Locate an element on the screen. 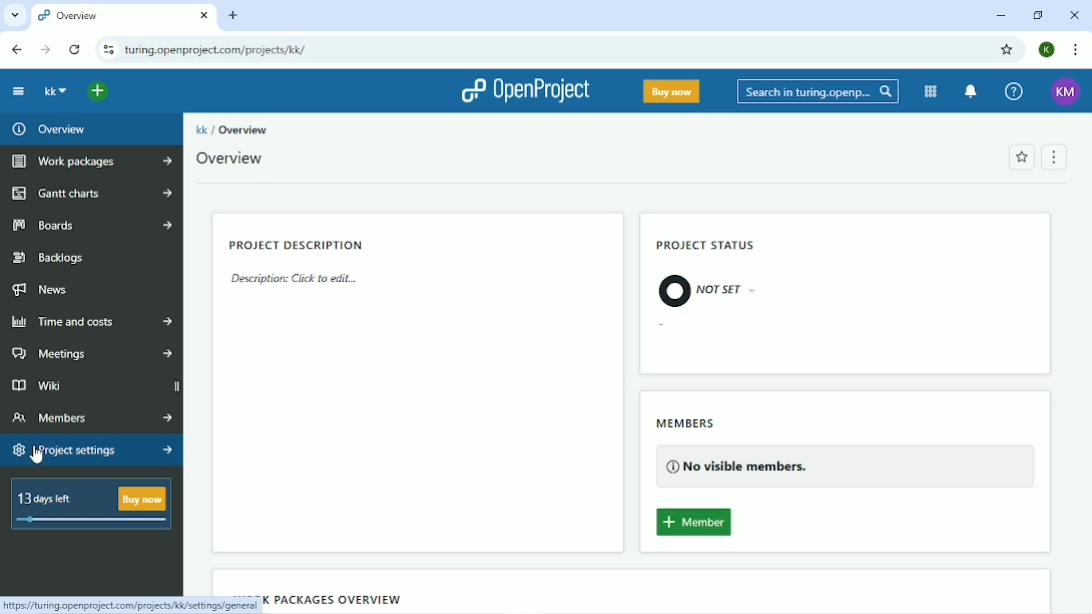  kk is located at coordinates (57, 91).